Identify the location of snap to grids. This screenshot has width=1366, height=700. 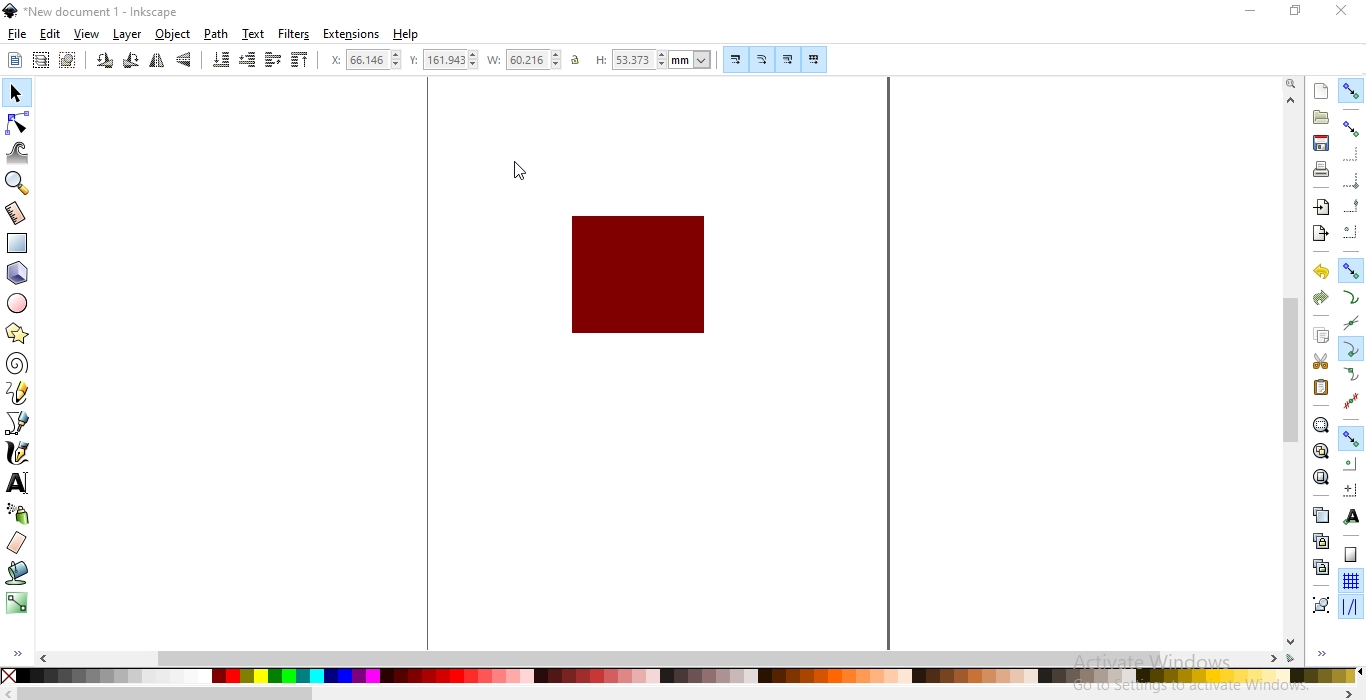
(1350, 582).